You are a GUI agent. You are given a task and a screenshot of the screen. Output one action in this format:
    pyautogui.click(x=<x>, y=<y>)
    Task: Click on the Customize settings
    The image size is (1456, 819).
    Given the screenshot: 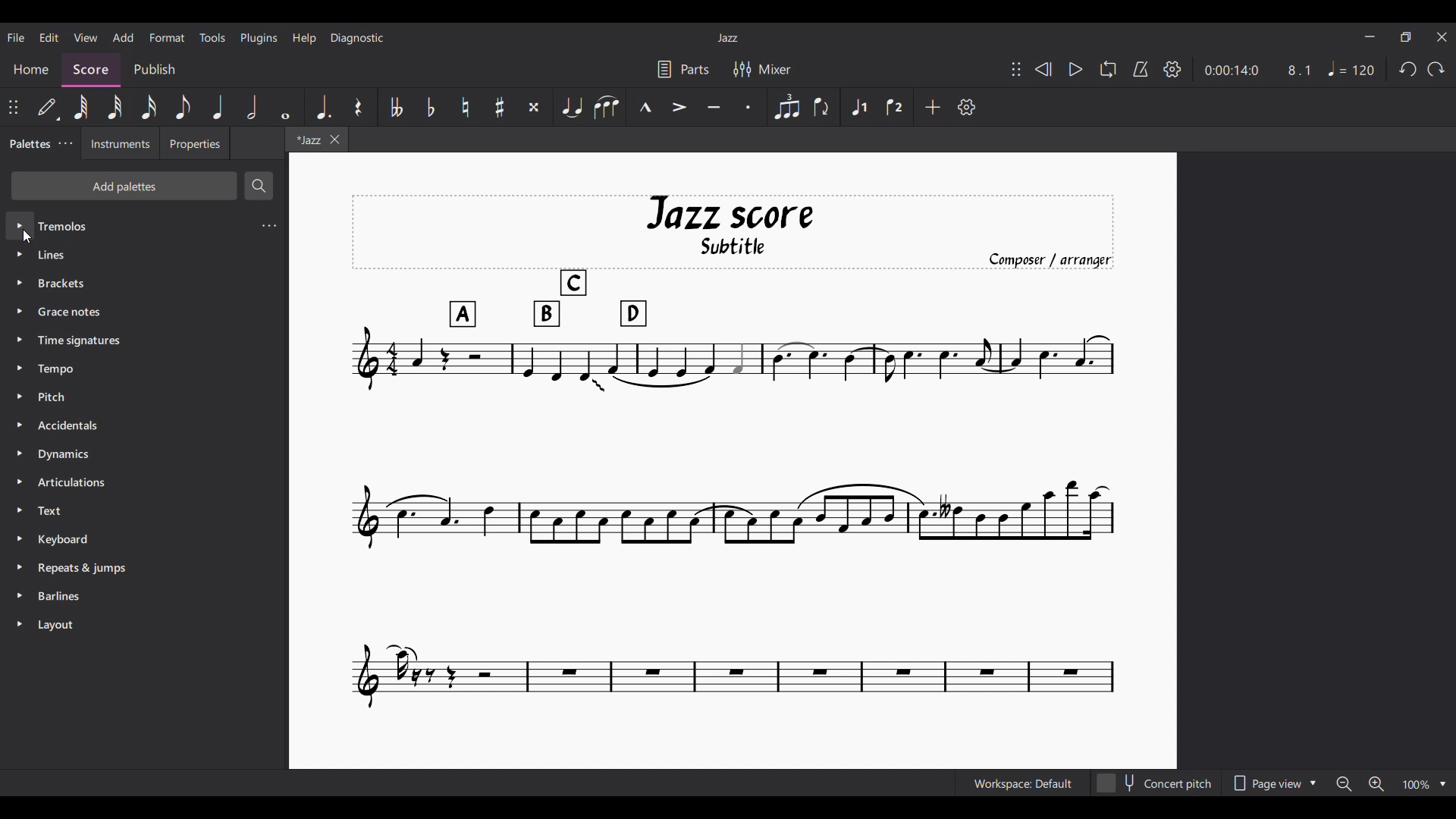 What is the action you would take?
    pyautogui.click(x=967, y=107)
    